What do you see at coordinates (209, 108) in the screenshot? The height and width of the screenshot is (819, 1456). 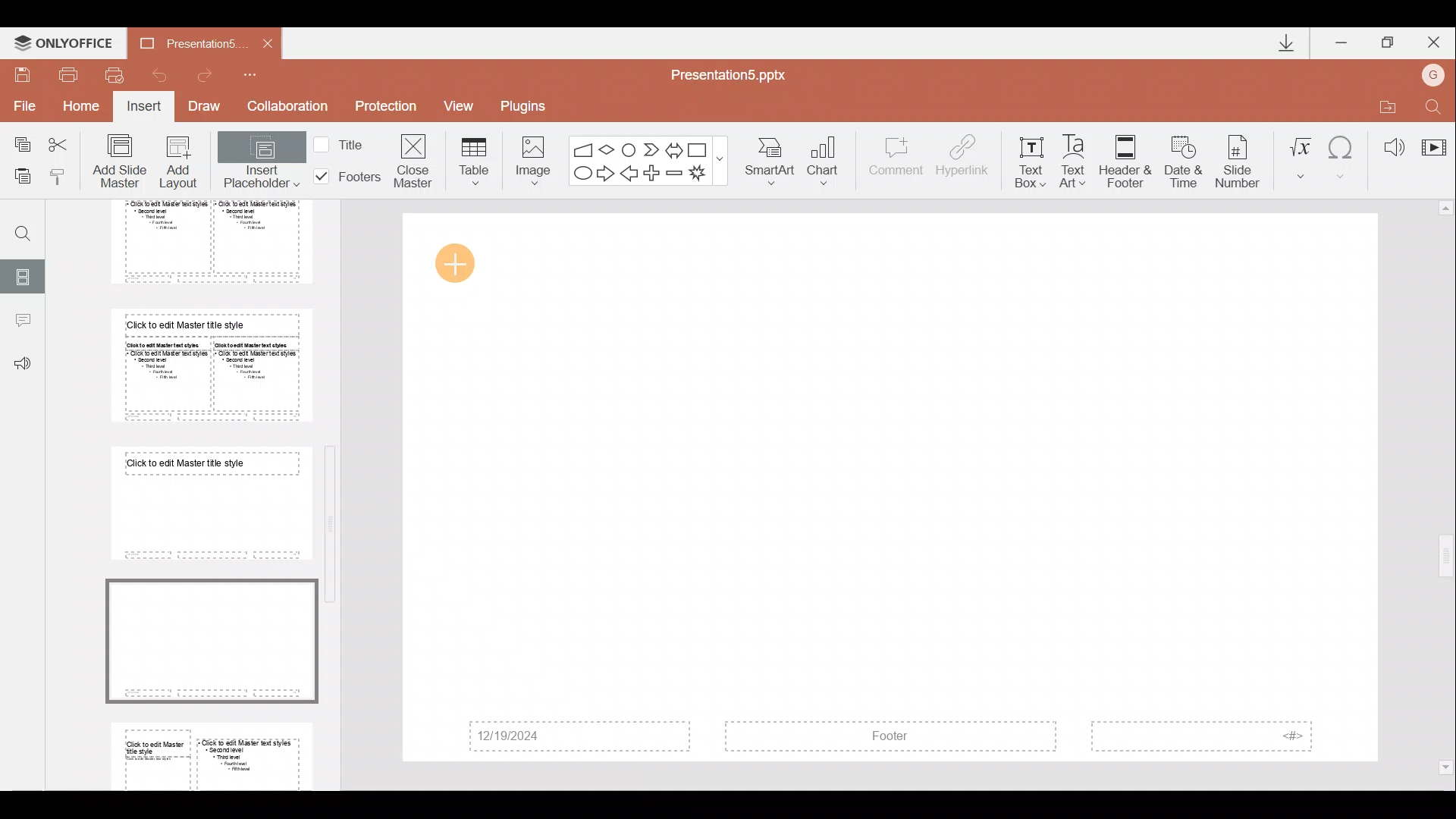 I see `Draw` at bounding box center [209, 108].